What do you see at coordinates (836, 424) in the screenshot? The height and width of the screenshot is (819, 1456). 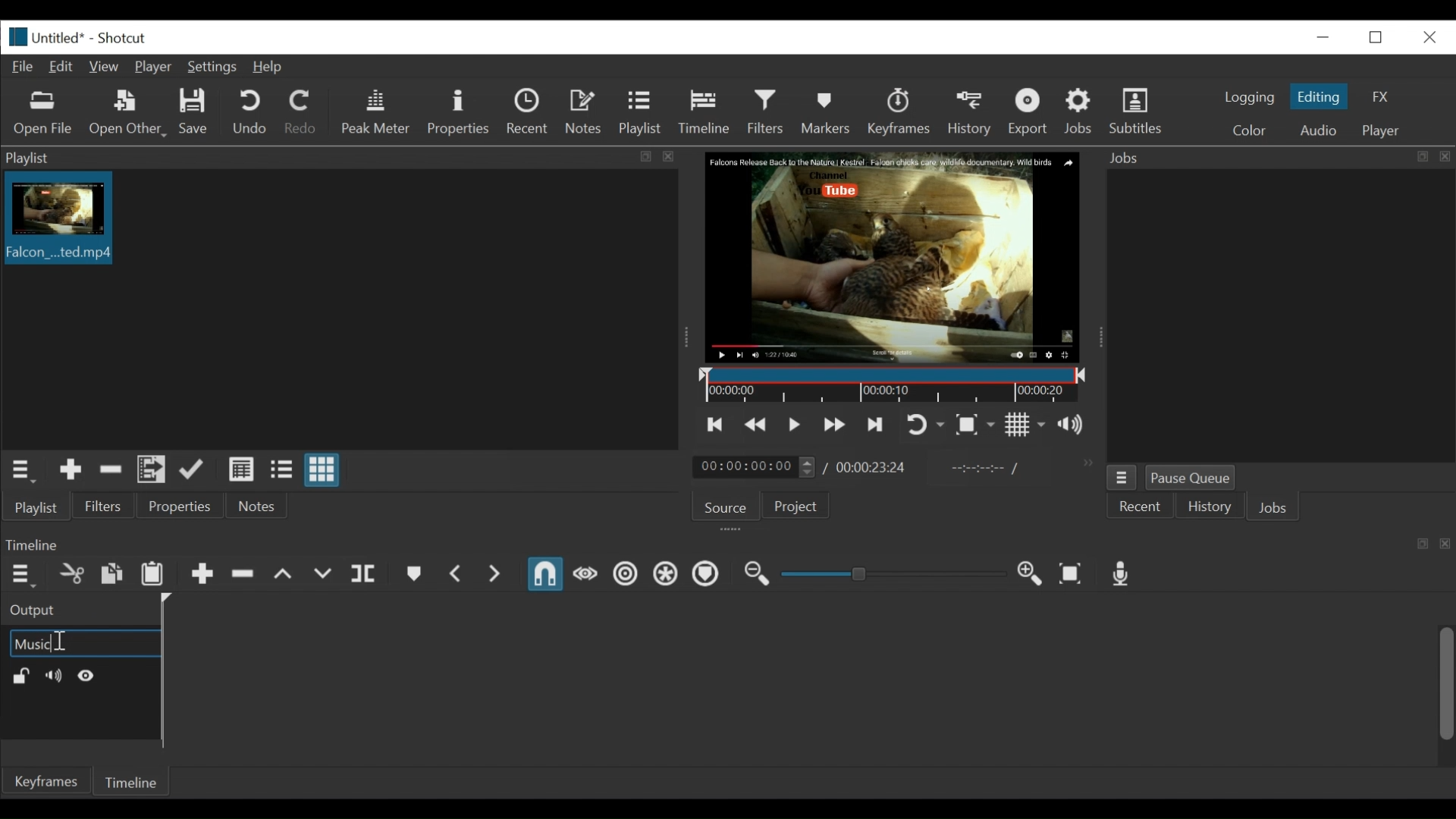 I see `Skip to the next point` at bounding box center [836, 424].